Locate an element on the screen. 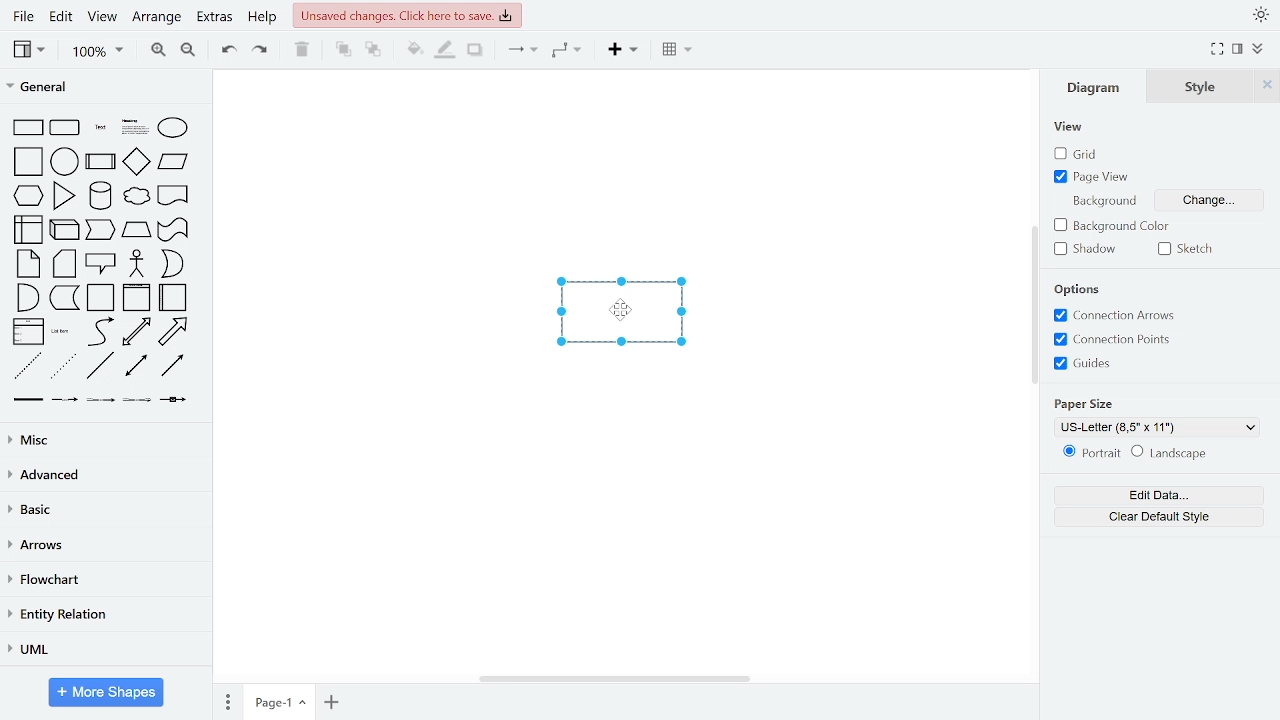  general shapes is located at coordinates (135, 263).